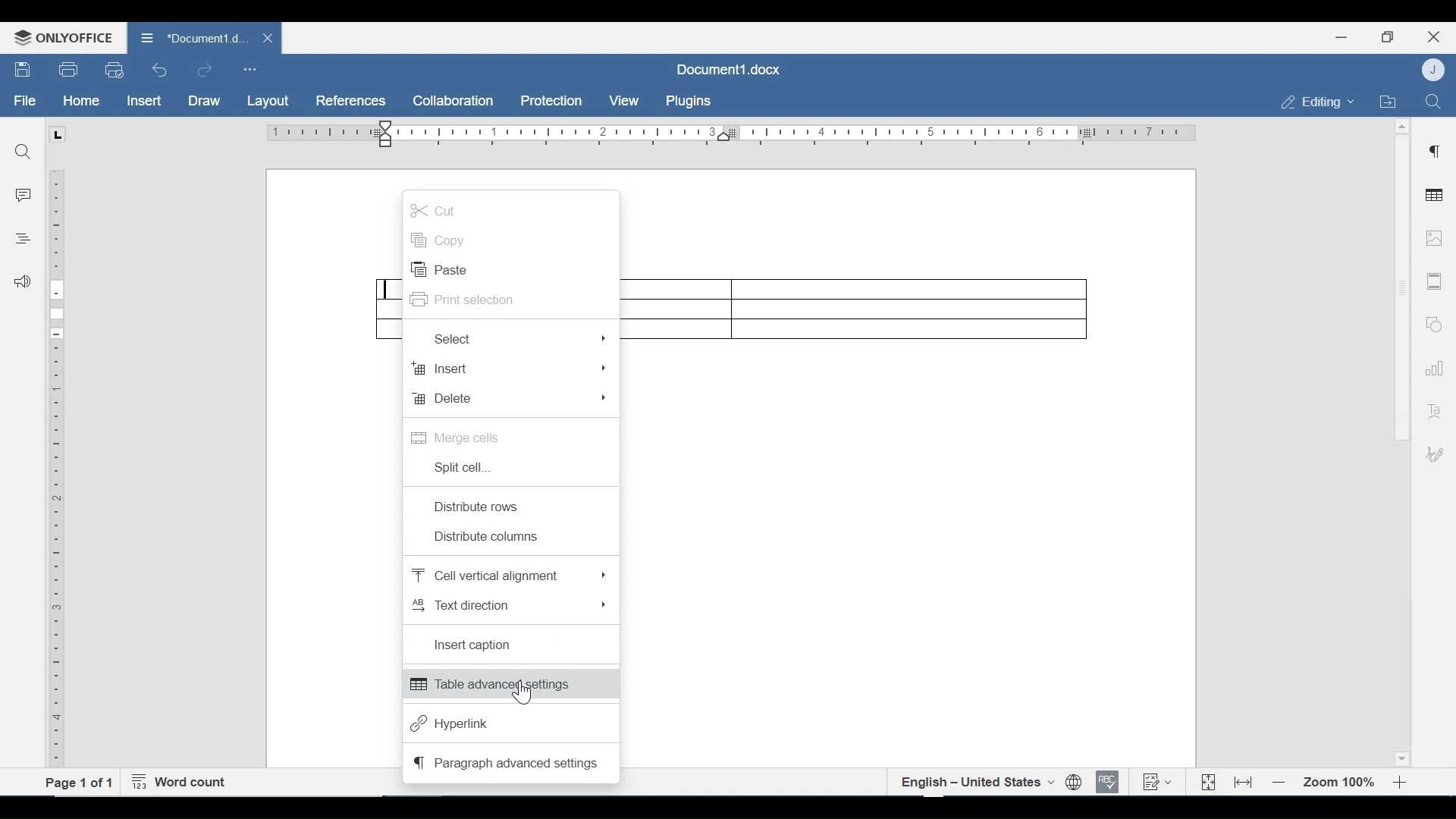 This screenshot has height=819, width=1456. What do you see at coordinates (1108, 782) in the screenshot?
I see `Spell checking` at bounding box center [1108, 782].